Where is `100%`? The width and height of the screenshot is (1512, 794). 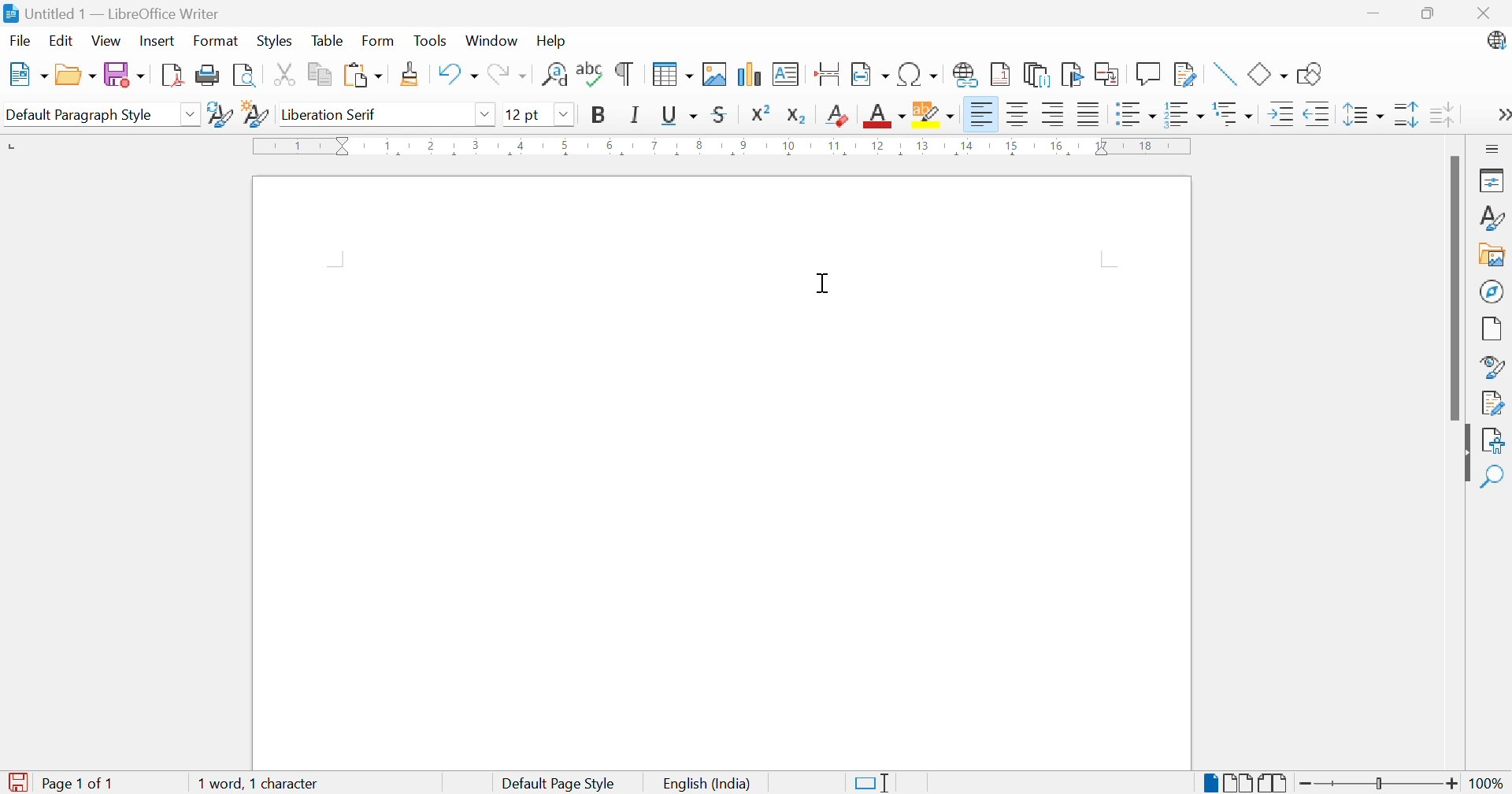 100% is located at coordinates (1488, 782).